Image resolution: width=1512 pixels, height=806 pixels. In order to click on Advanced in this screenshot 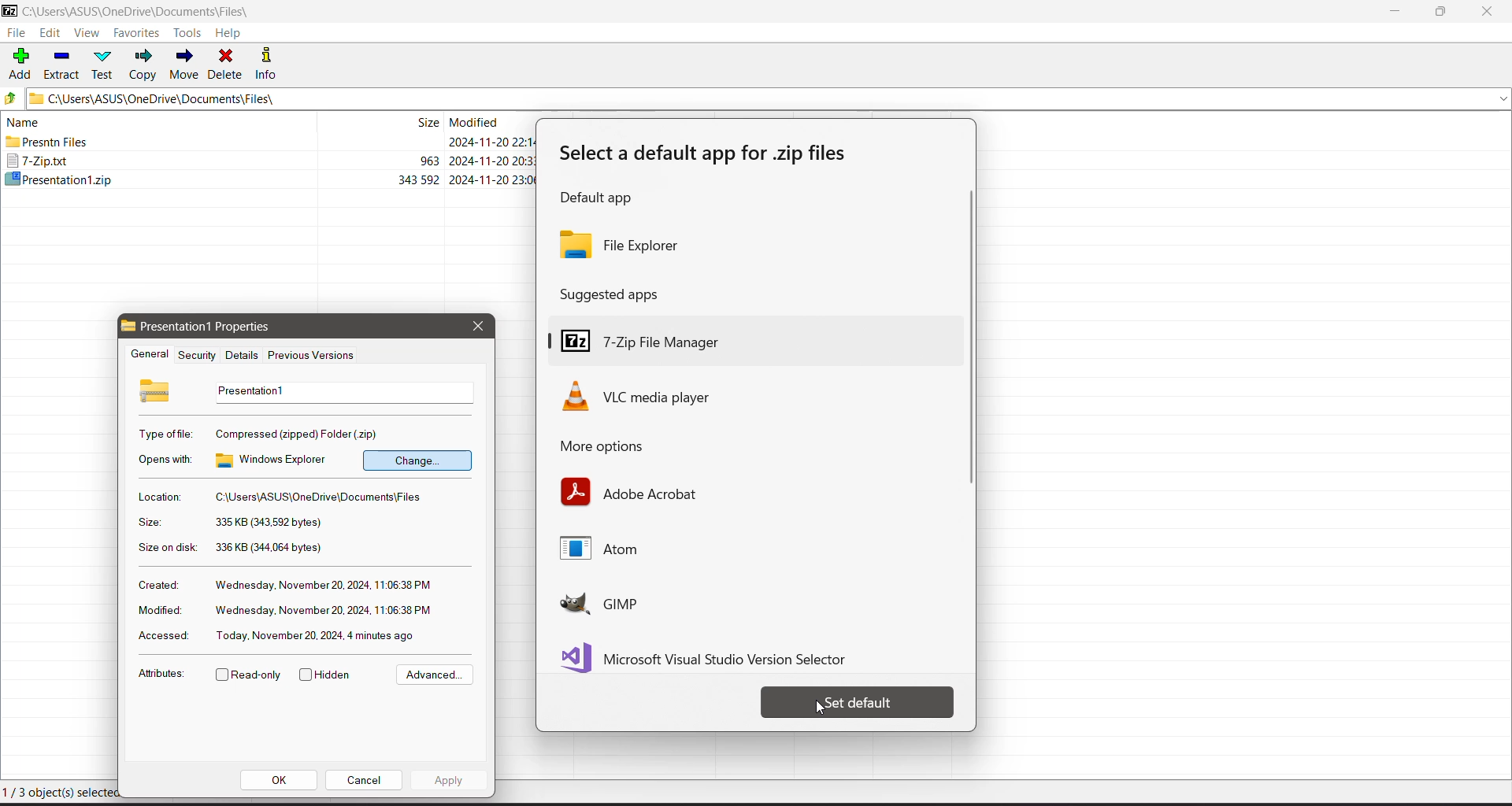, I will do `click(432, 675)`.